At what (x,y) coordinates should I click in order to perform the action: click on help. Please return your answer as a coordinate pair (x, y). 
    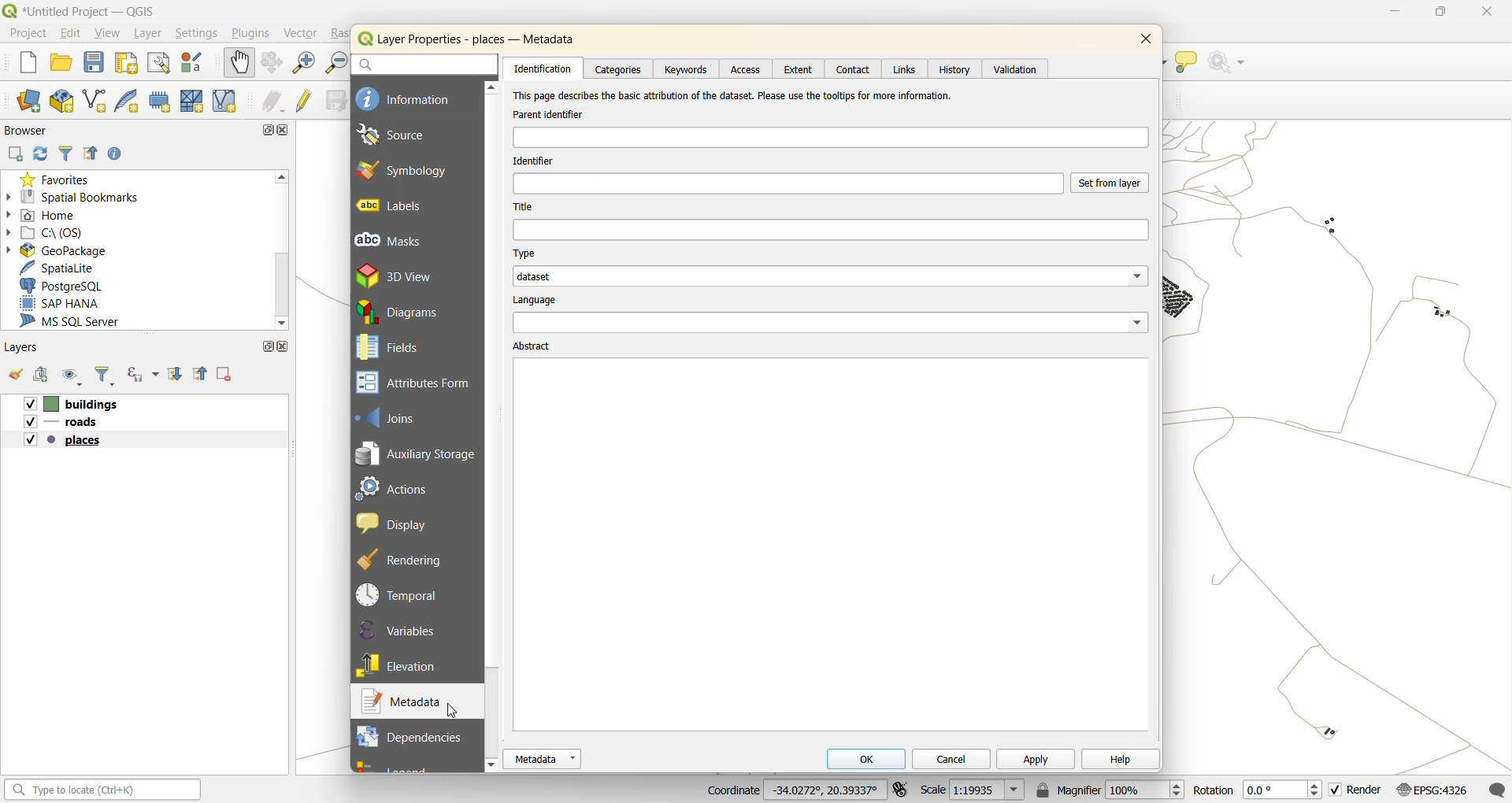
    Looking at the image, I should click on (1119, 759).